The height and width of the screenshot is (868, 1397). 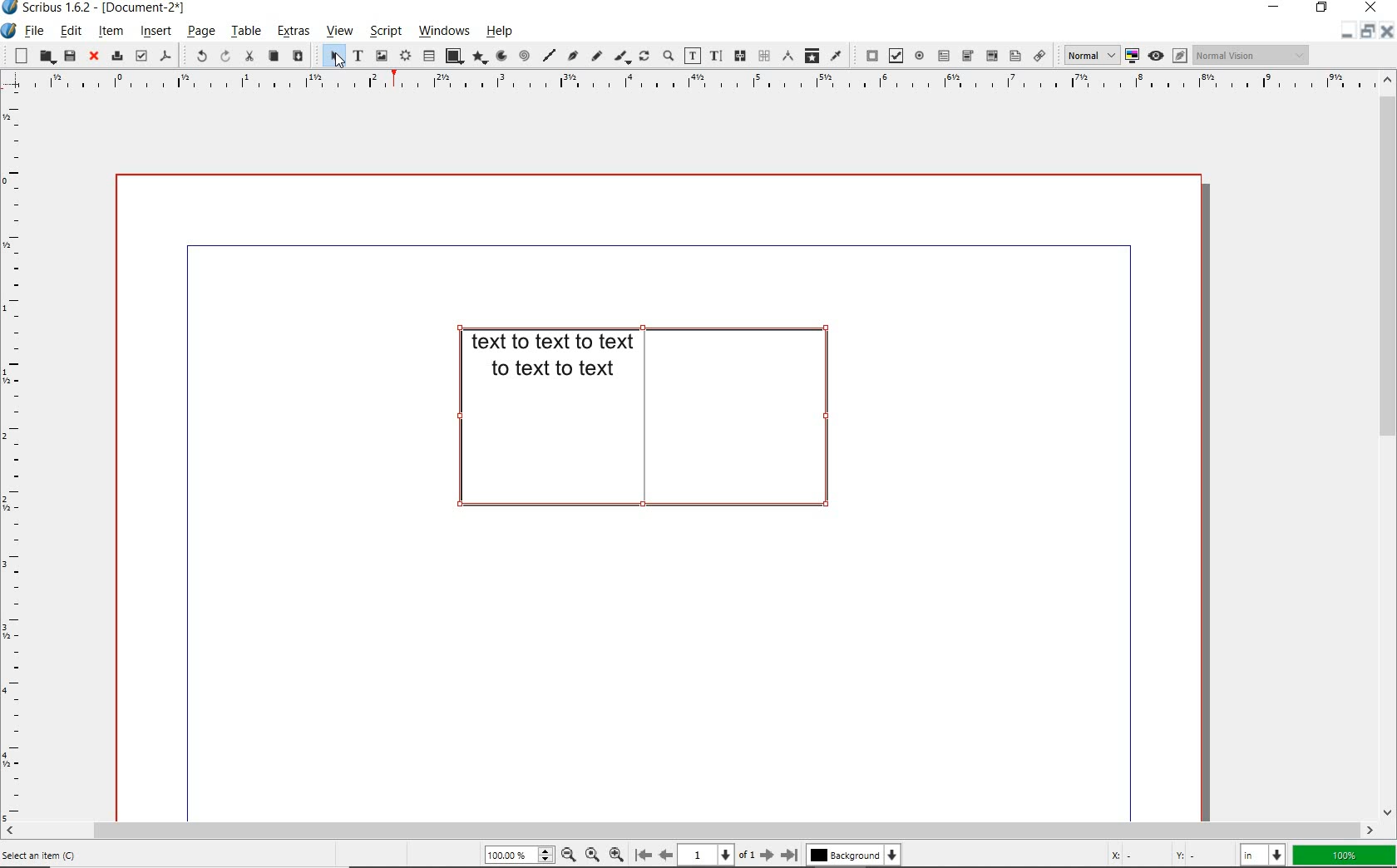 I want to click on view, so click(x=338, y=31).